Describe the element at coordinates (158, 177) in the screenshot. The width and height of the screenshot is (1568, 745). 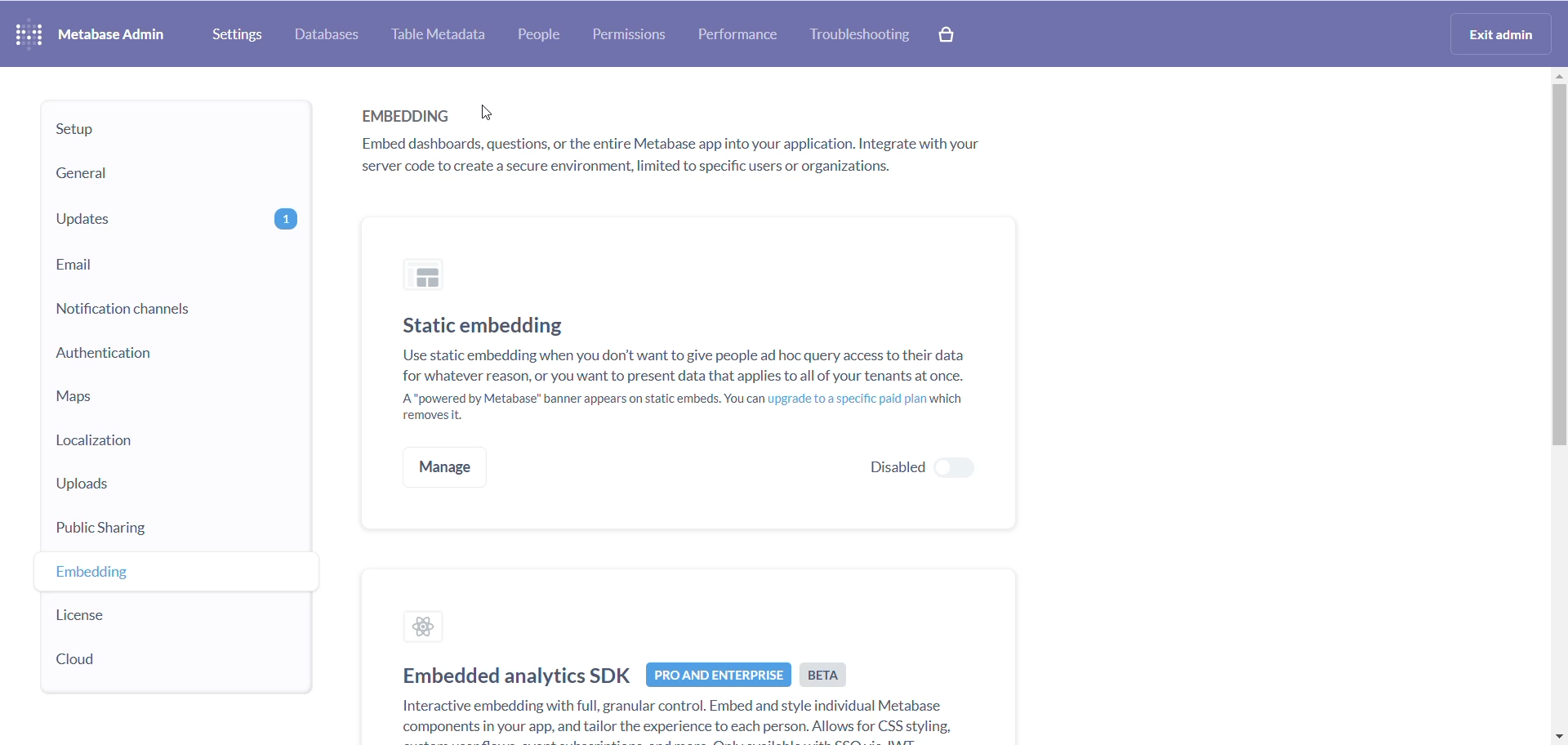
I see `general` at that location.